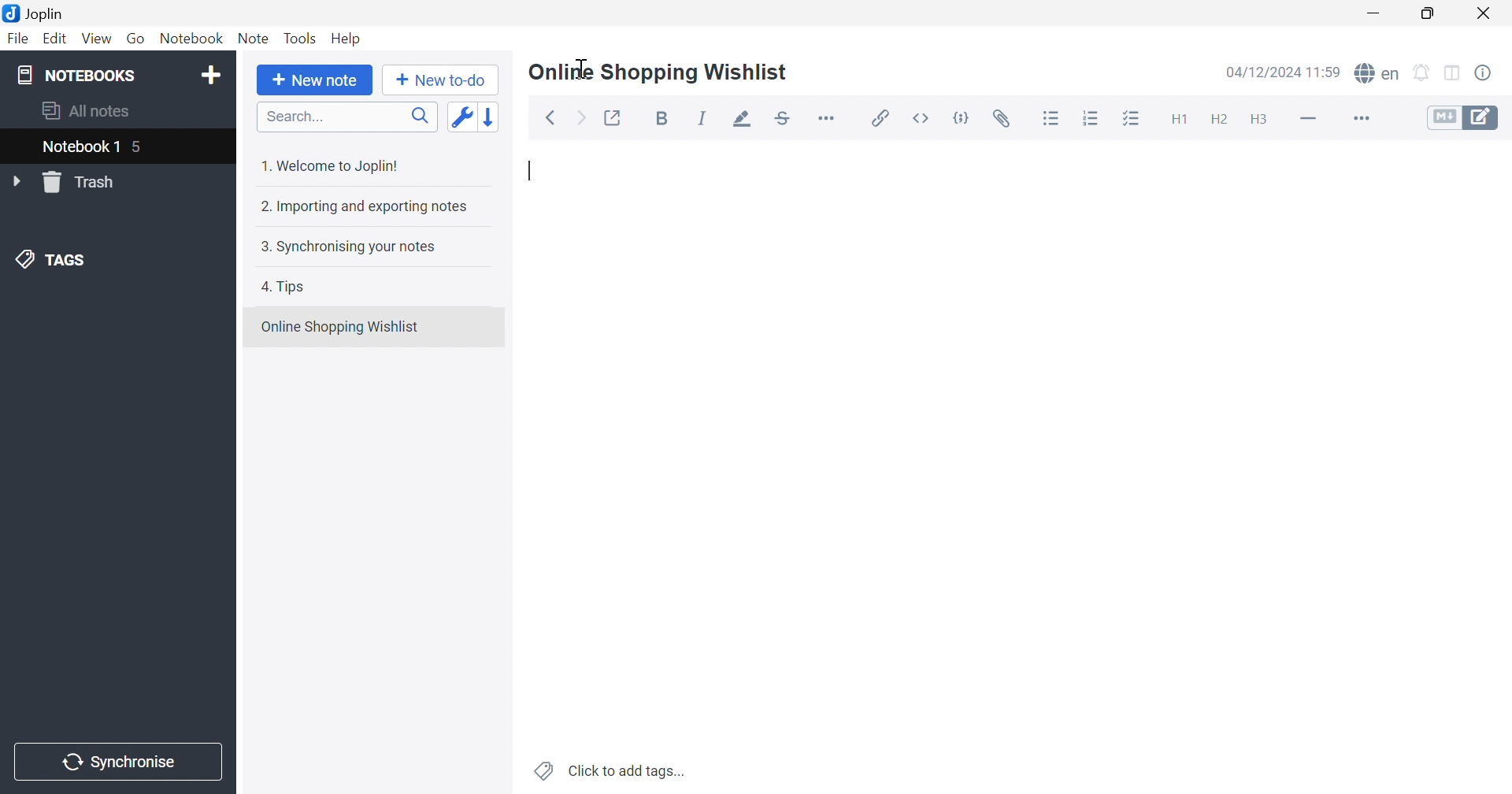 Image resolution: width=1512 pixels, height=794 pixels. What do you see at coordinates (89, 113) in the screenshot?
I see `All notes` at bounding box center [89, 113].